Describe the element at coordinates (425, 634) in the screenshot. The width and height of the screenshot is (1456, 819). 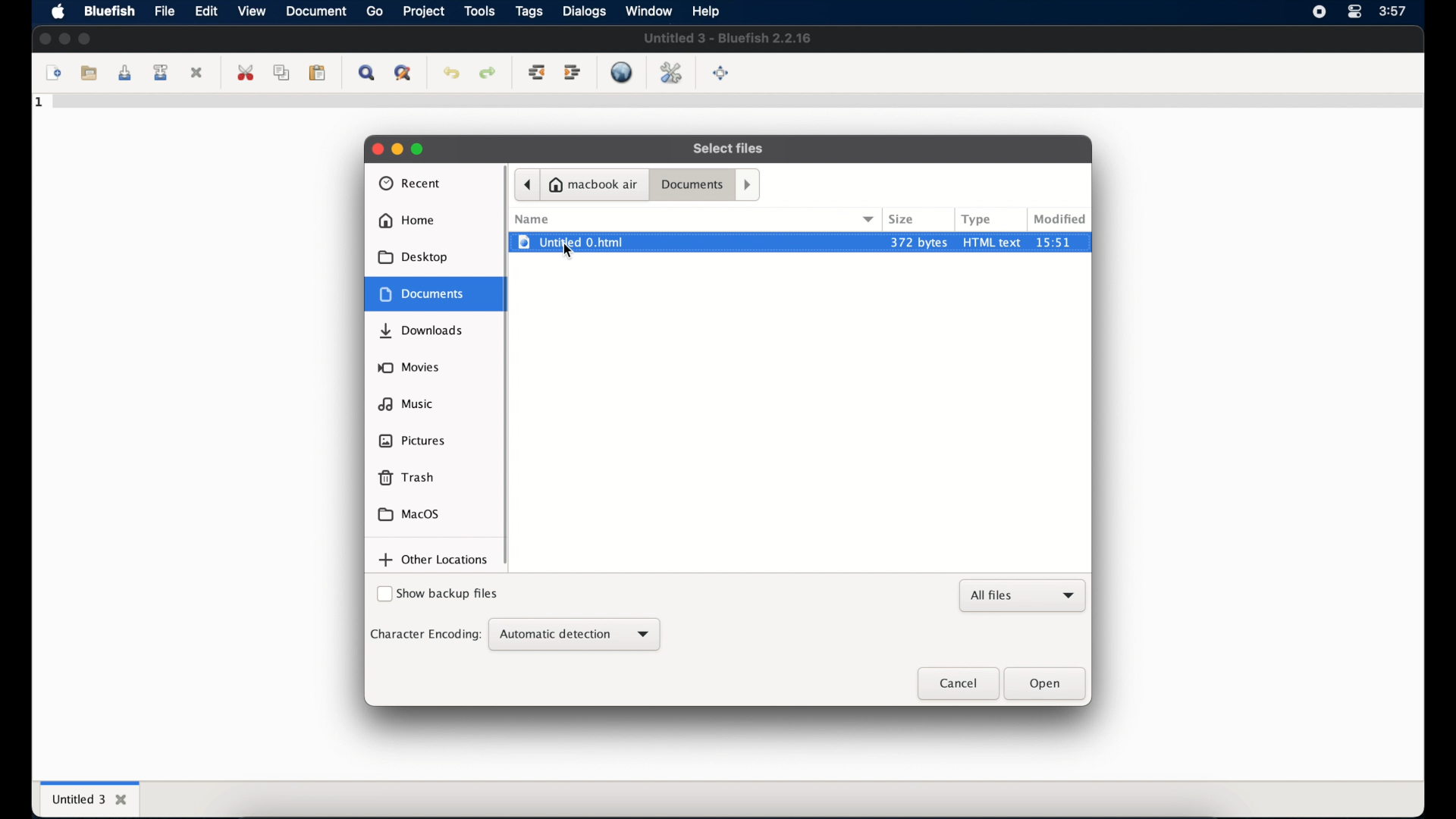
I see `character encoding` at that location.